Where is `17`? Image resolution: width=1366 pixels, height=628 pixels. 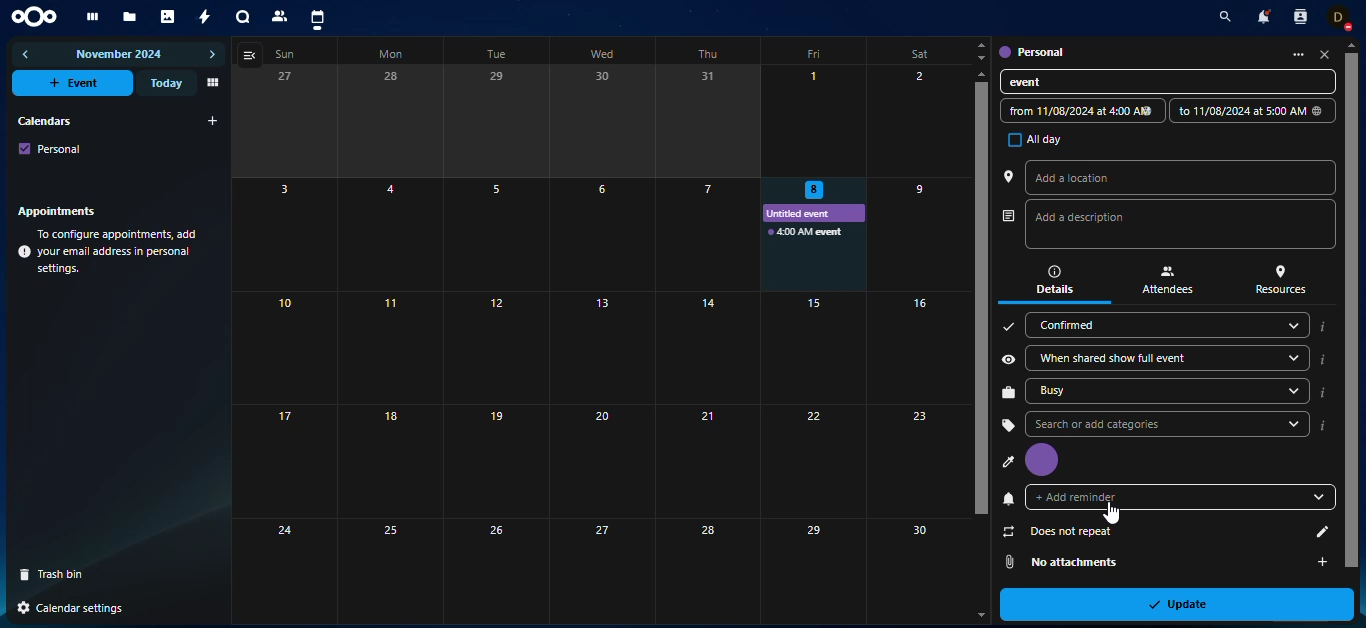
17 is located at coordinates (286, 461).